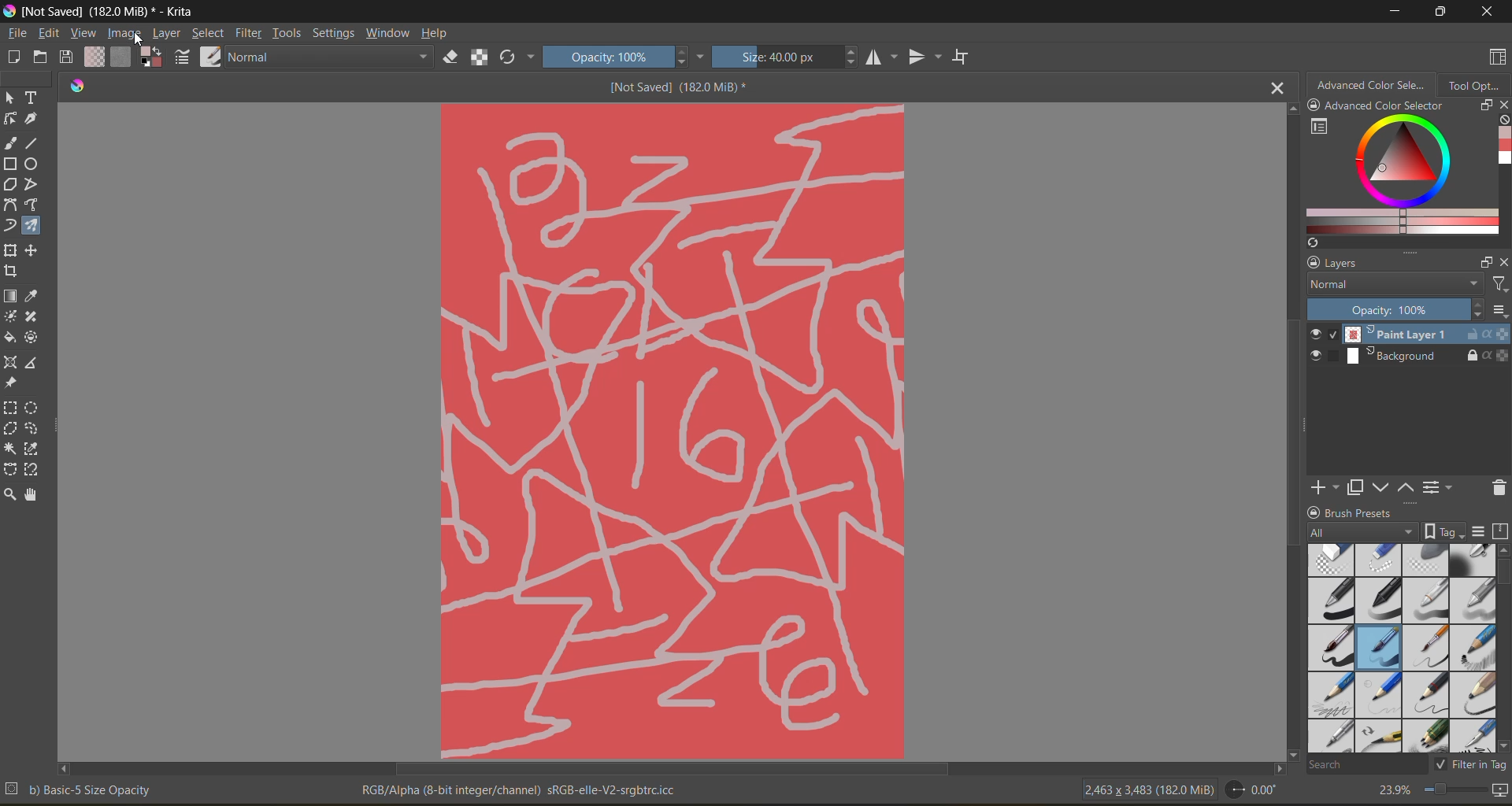 The height and width of the screenshot is (806, 1512). I want to click on tools, so click(291, 35).